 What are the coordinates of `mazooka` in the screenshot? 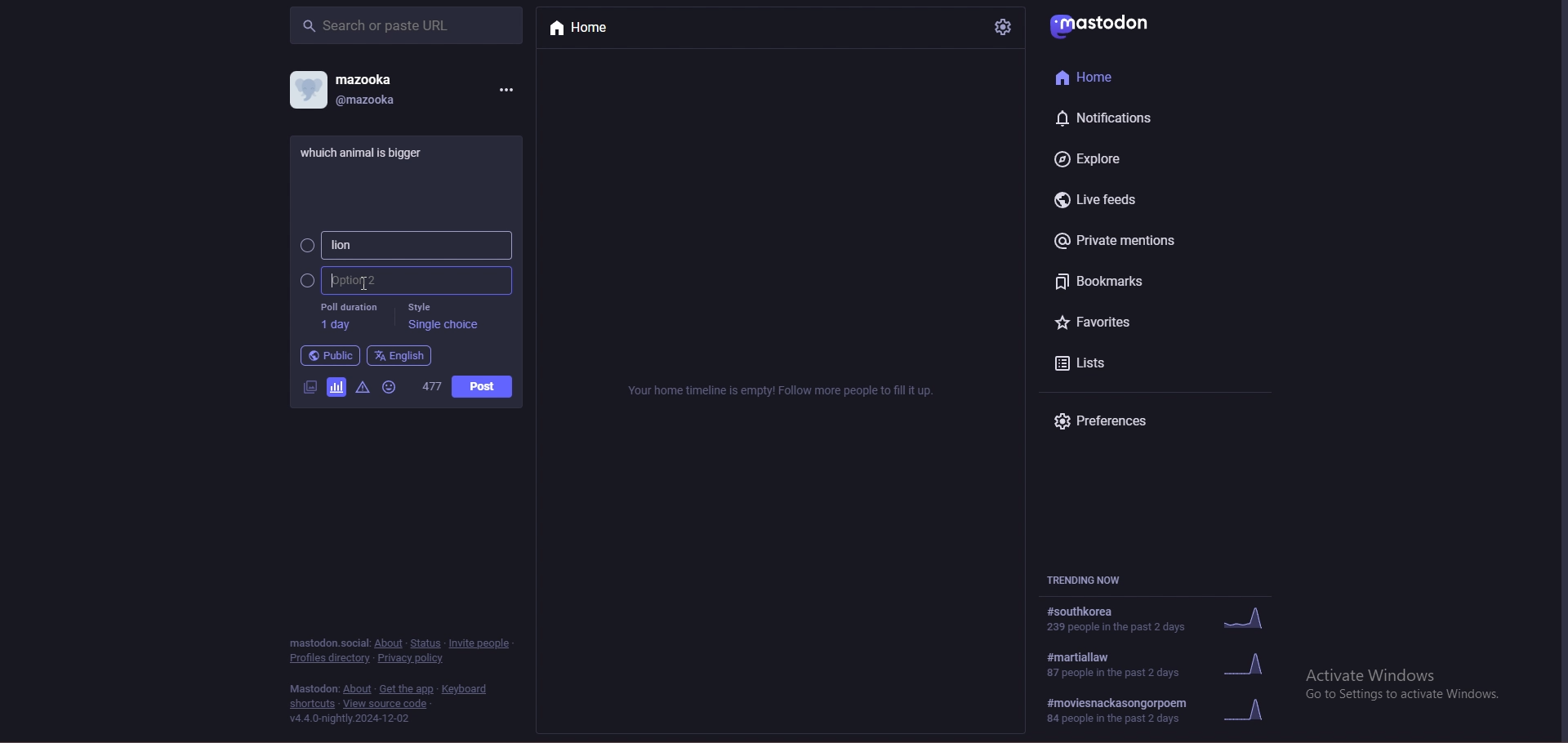 It's located at (367, 78).